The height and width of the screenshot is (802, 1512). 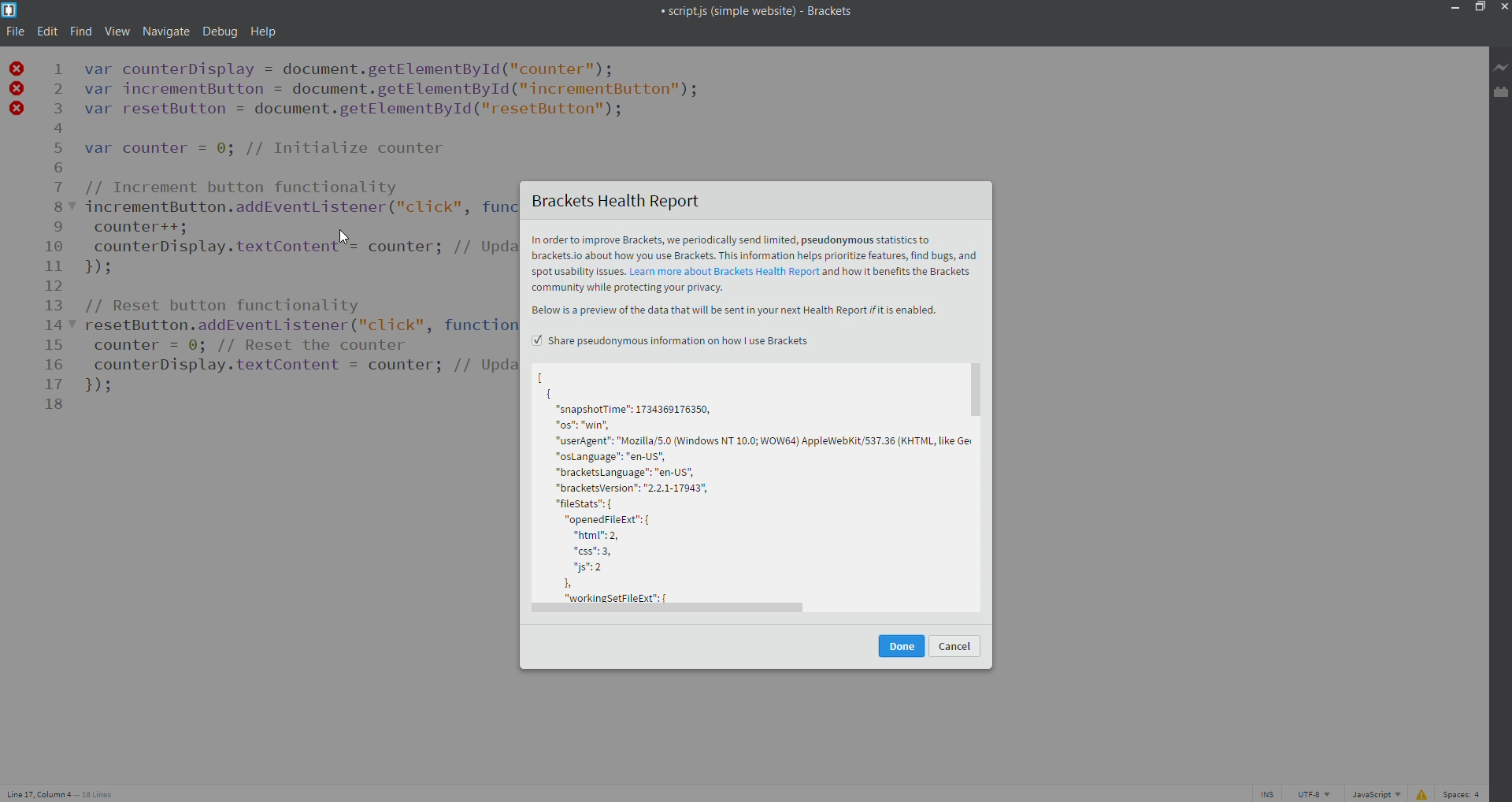 I want to click on spot usability issues, so click(x=578, y=273).